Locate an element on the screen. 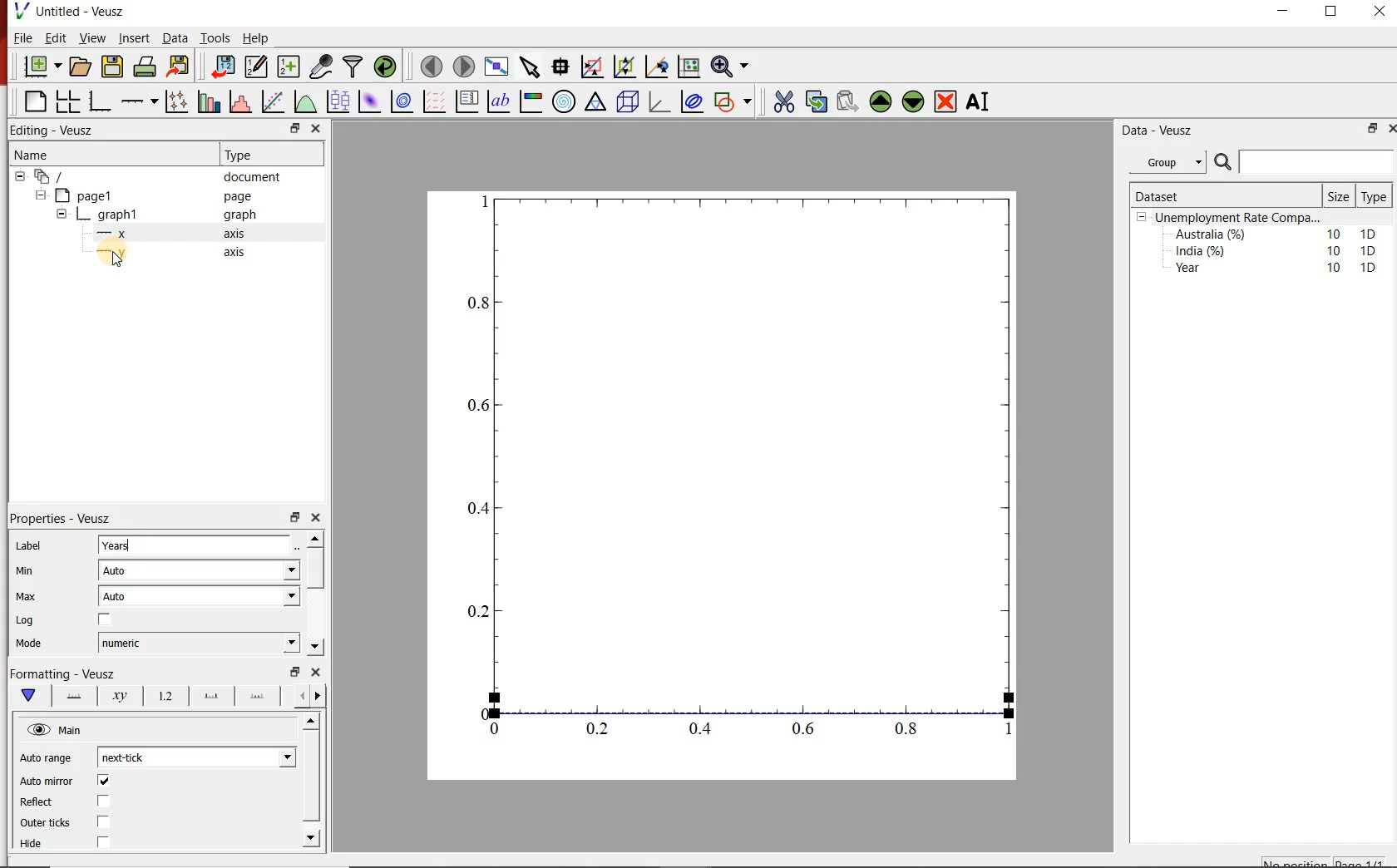 The height and width of the screenshot is (868, 1397). y axis is located at coordinates (180, 253).